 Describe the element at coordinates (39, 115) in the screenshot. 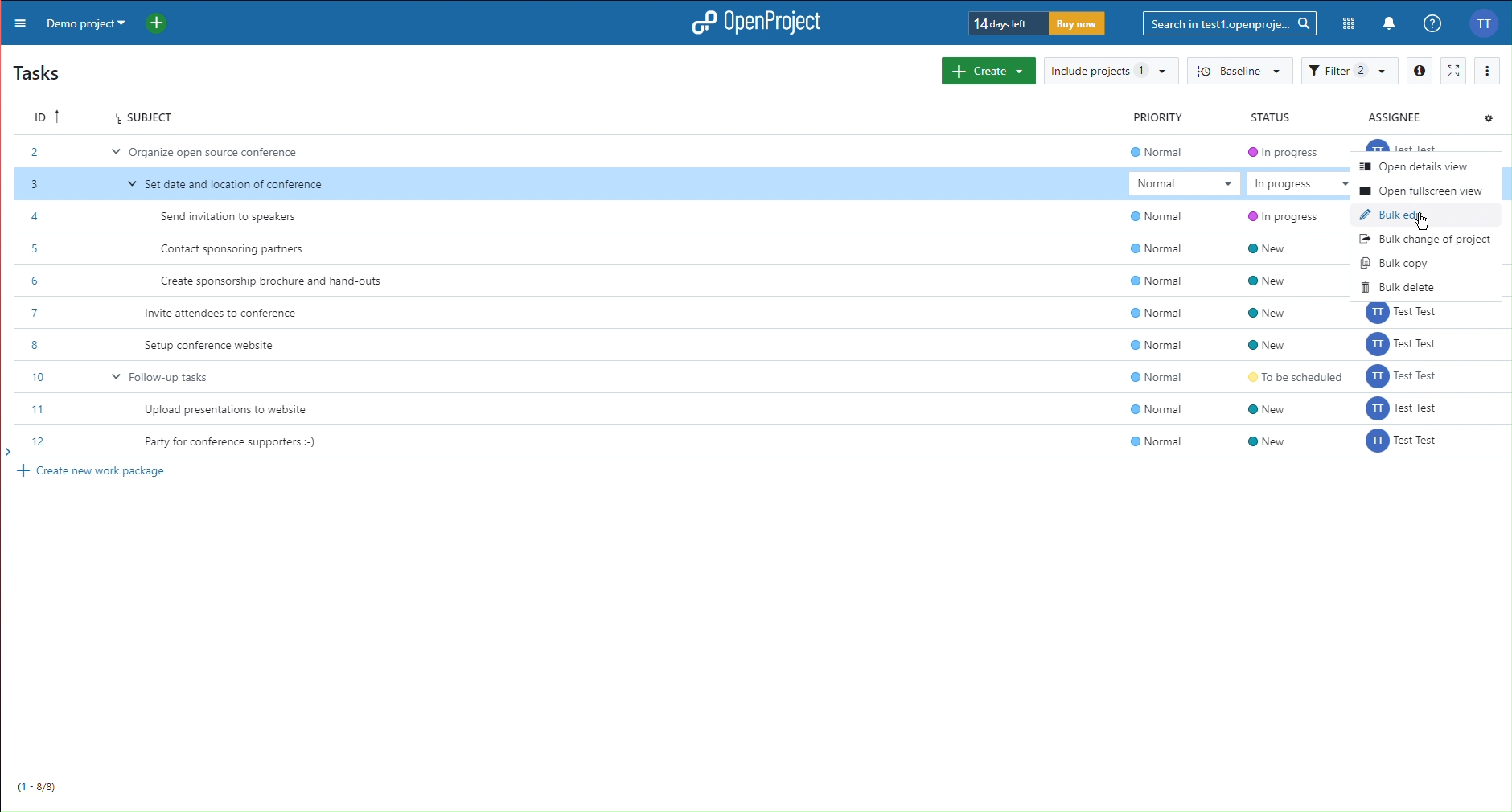

I see `ID` at that location.